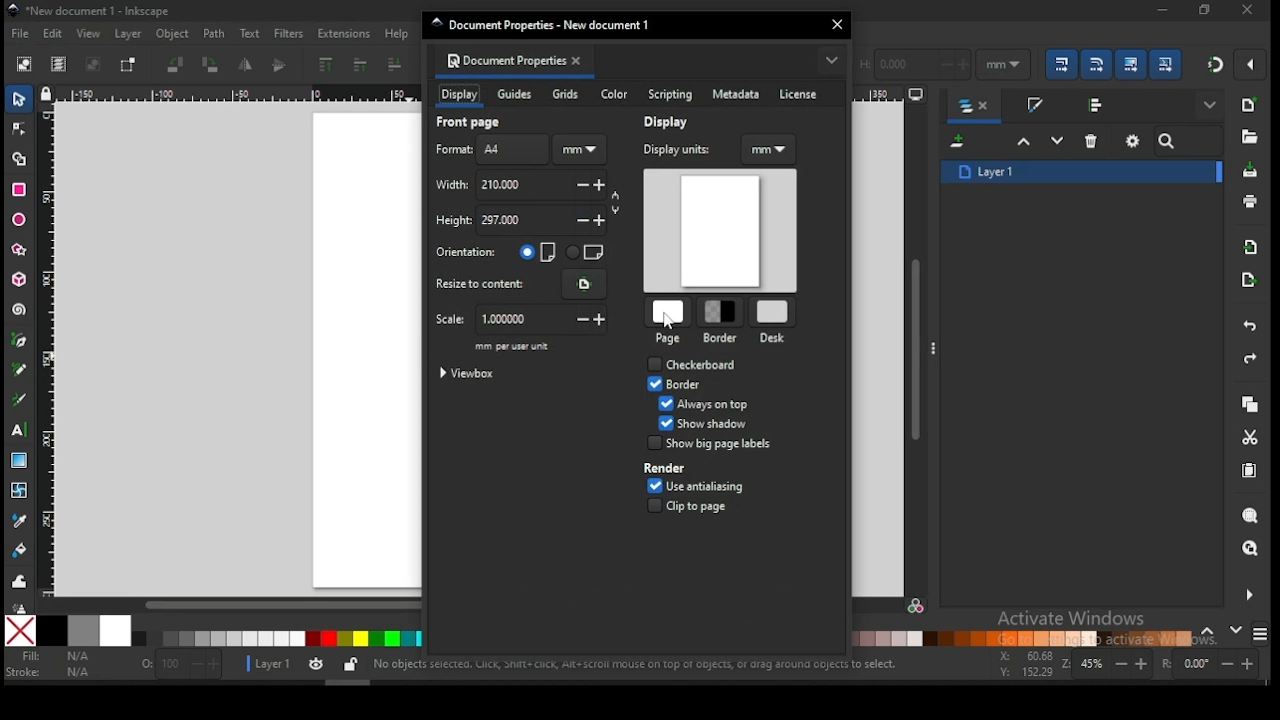 The width and height of the screenshot is (1280, 720). Describe the element at coordinates (179, 65) in the screenshot. I see `object rotate 90 CCW` at that location.